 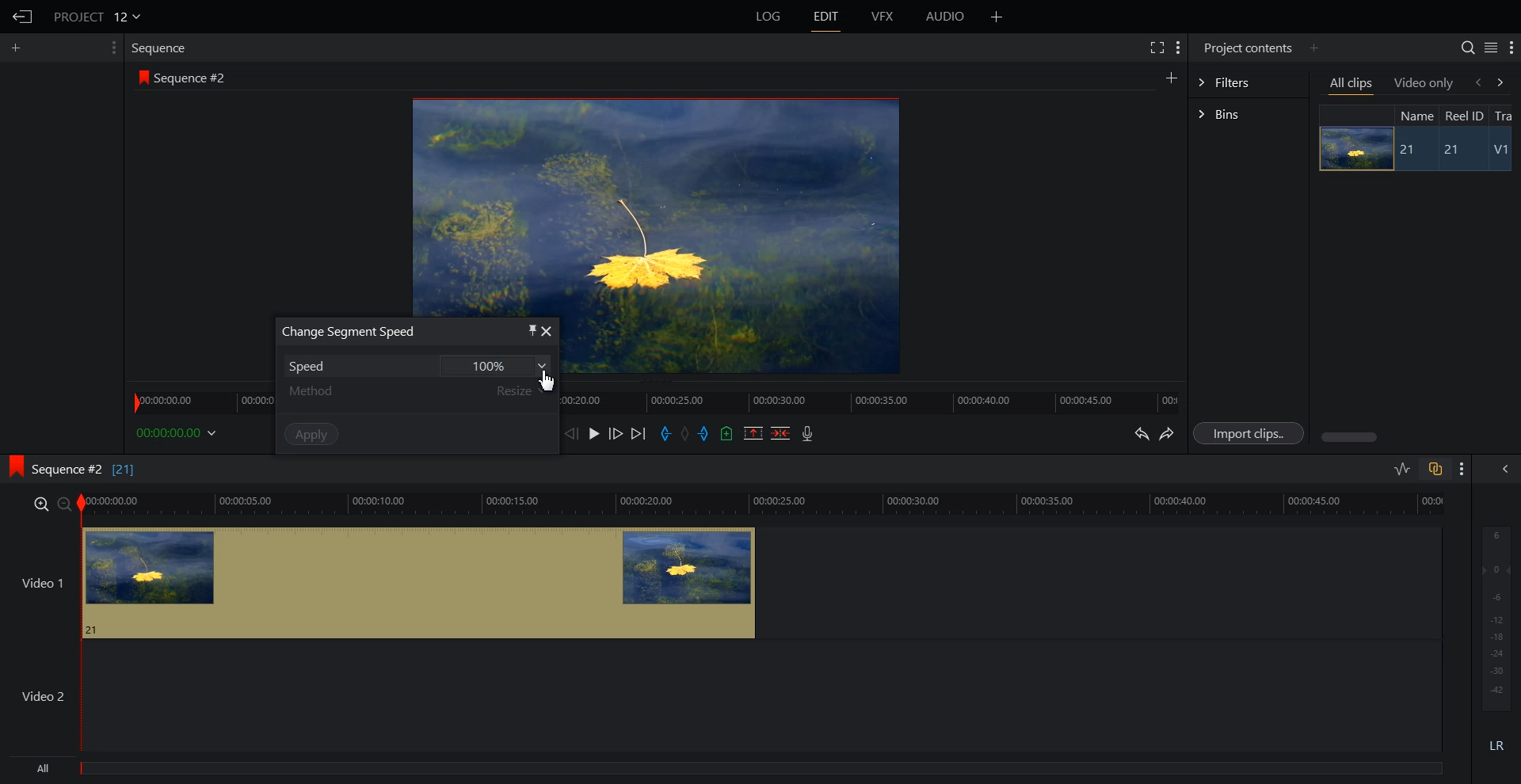 I want to click on Name, so click(x=1415, y=115).